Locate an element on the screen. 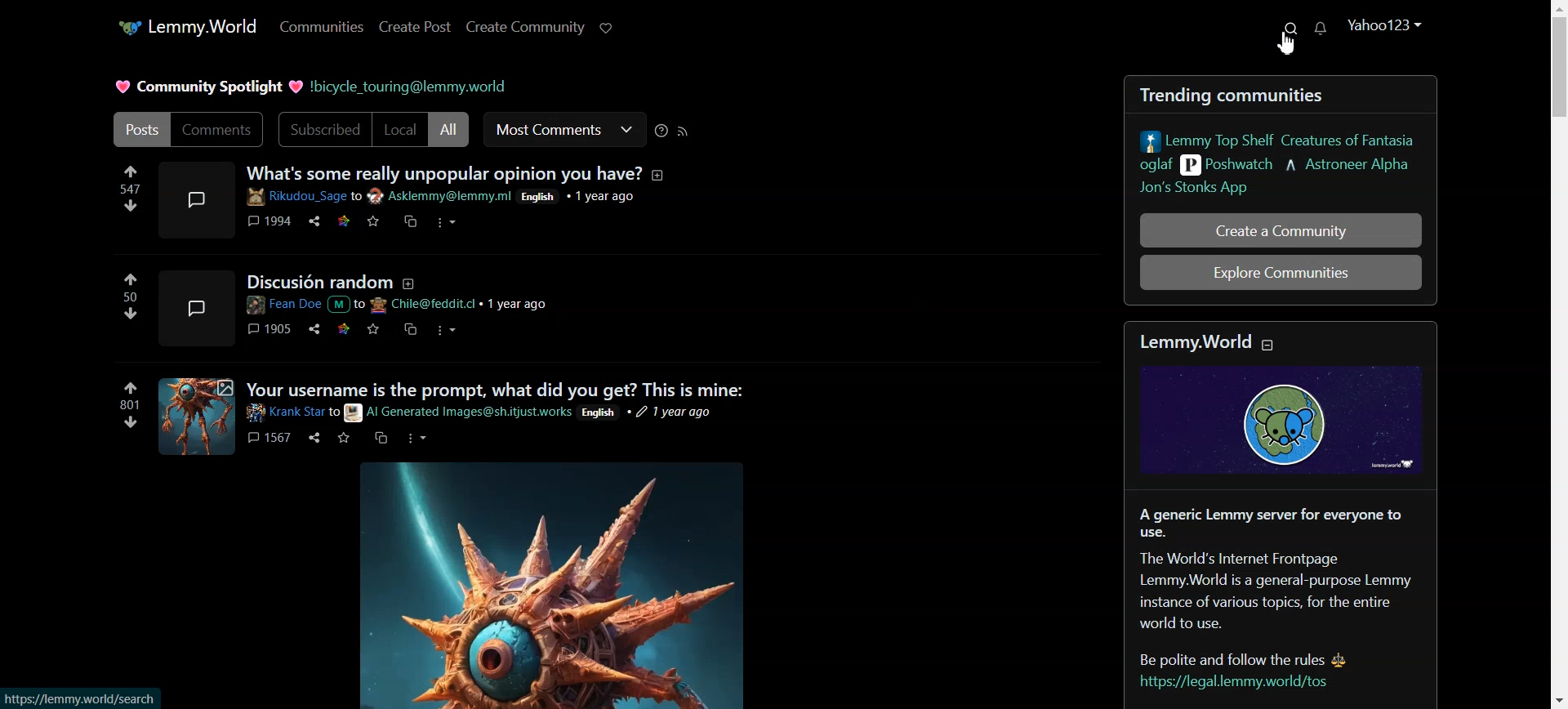  oglaf is located at coordinates (1153, 166).